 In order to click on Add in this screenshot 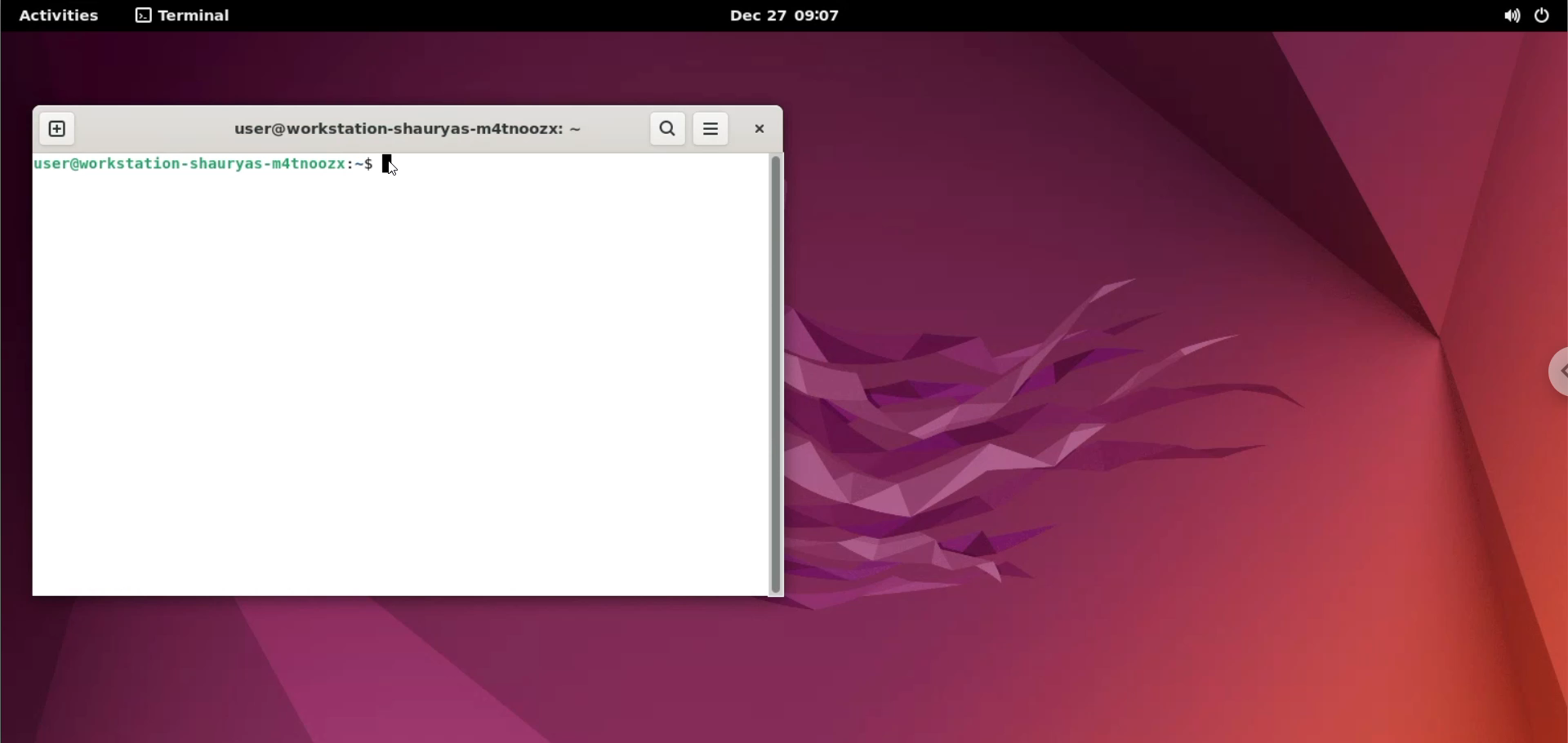, I will do `click(59, 129)`.